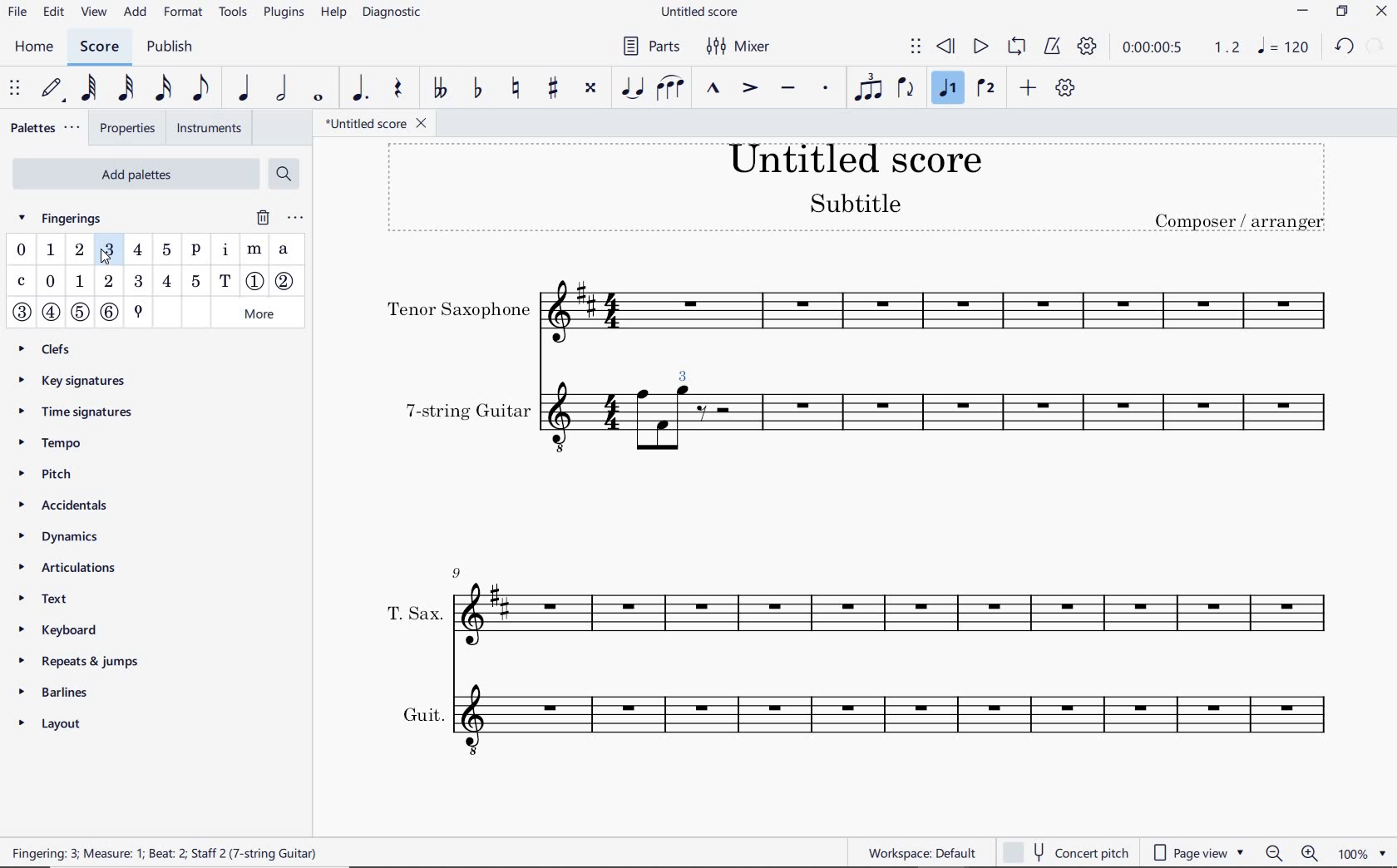 The image size is (1397, 868). Describe the element at coordinates (184, 12) in the screenshot. I see `FORMAT` at that location.